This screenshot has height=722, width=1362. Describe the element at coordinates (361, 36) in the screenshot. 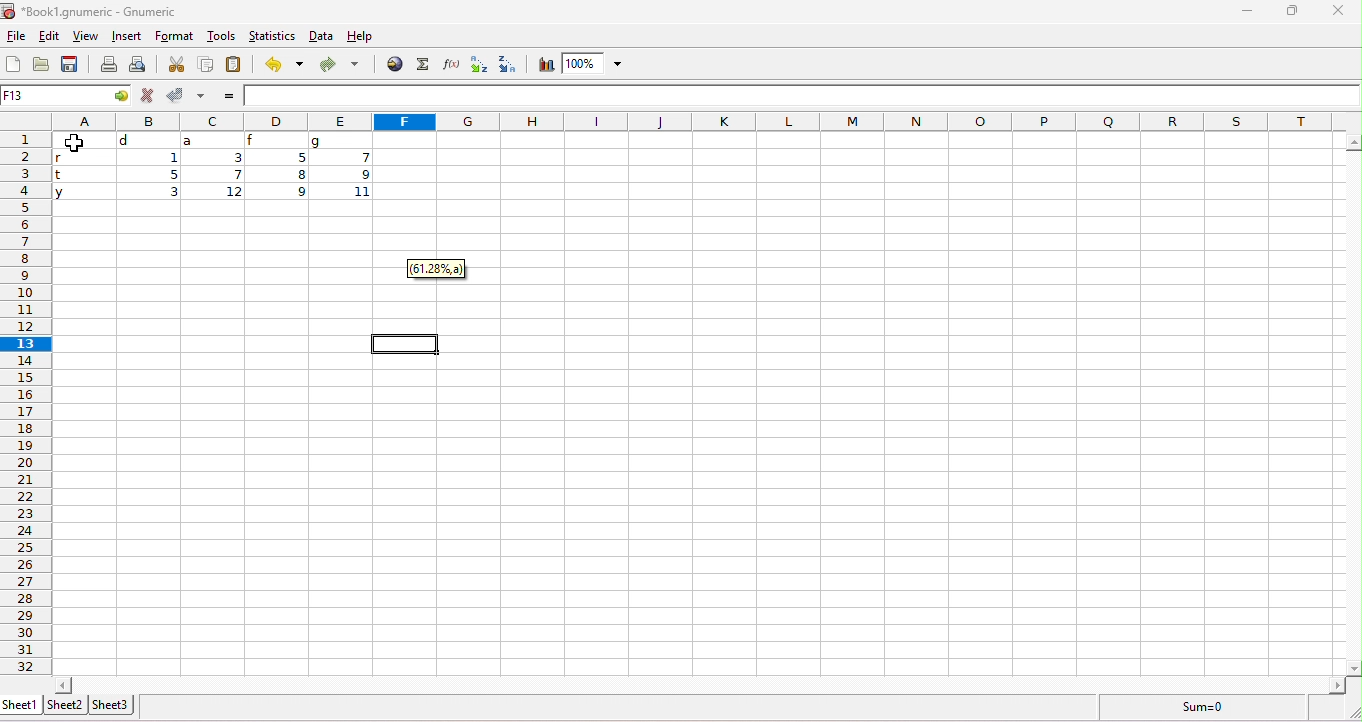

I see `help` at that location.